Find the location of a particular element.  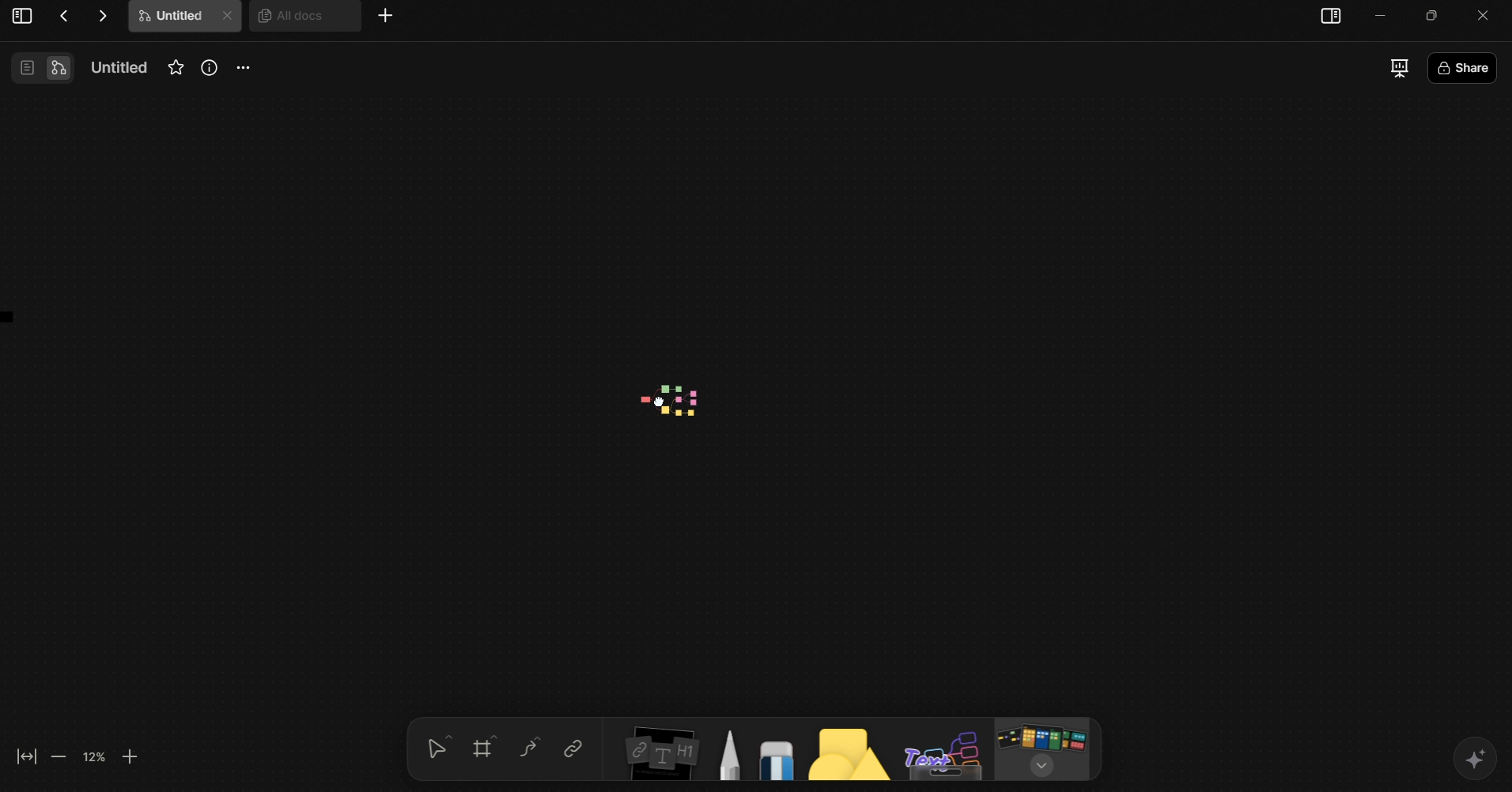

Zoom is located at coordinates (76, 756).